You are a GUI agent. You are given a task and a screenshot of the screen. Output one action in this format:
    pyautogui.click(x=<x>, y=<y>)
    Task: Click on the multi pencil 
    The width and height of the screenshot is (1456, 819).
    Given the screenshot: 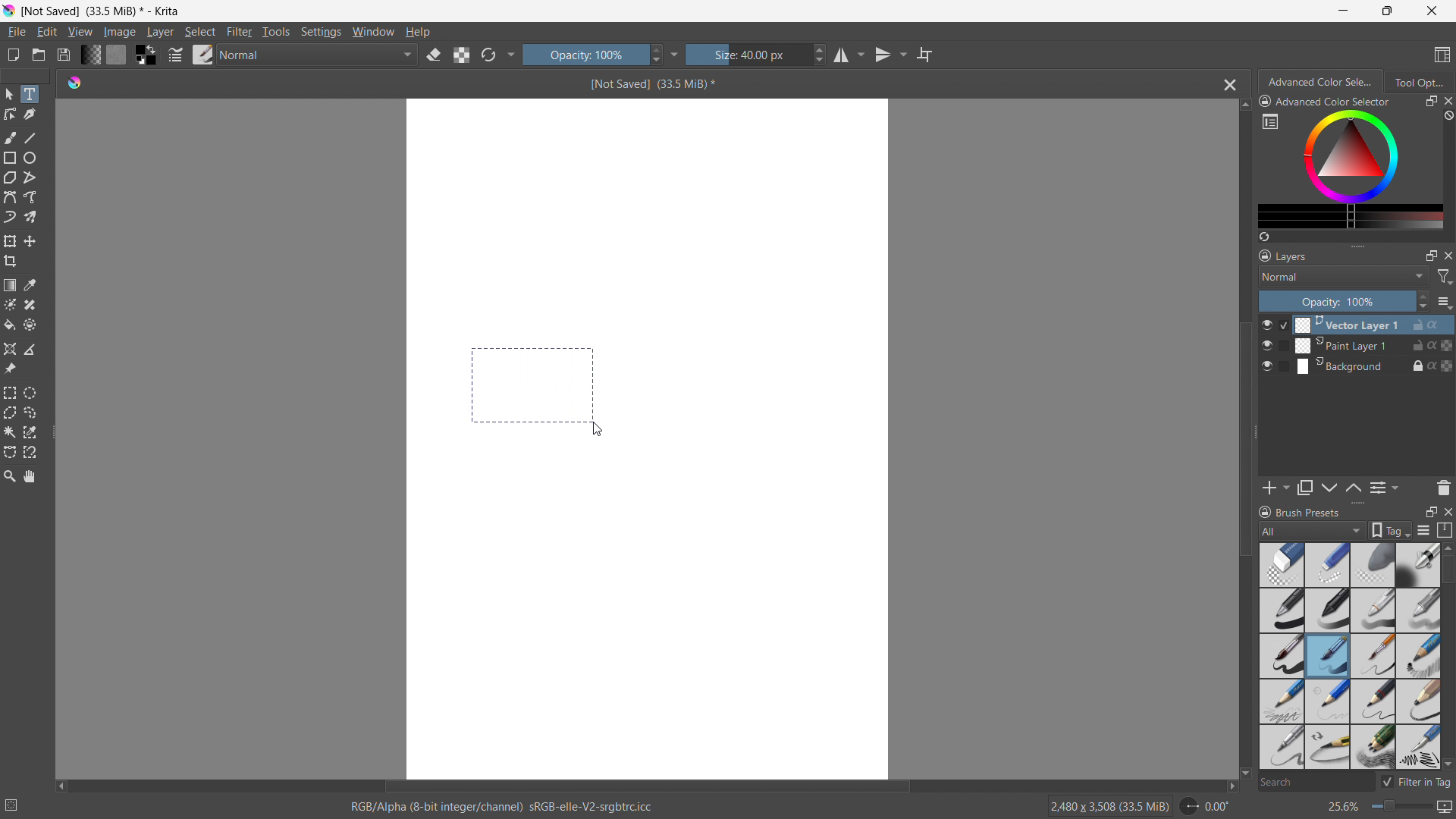 What is the action you would take?
    pyautogui.click(x=1374, y=748)
    